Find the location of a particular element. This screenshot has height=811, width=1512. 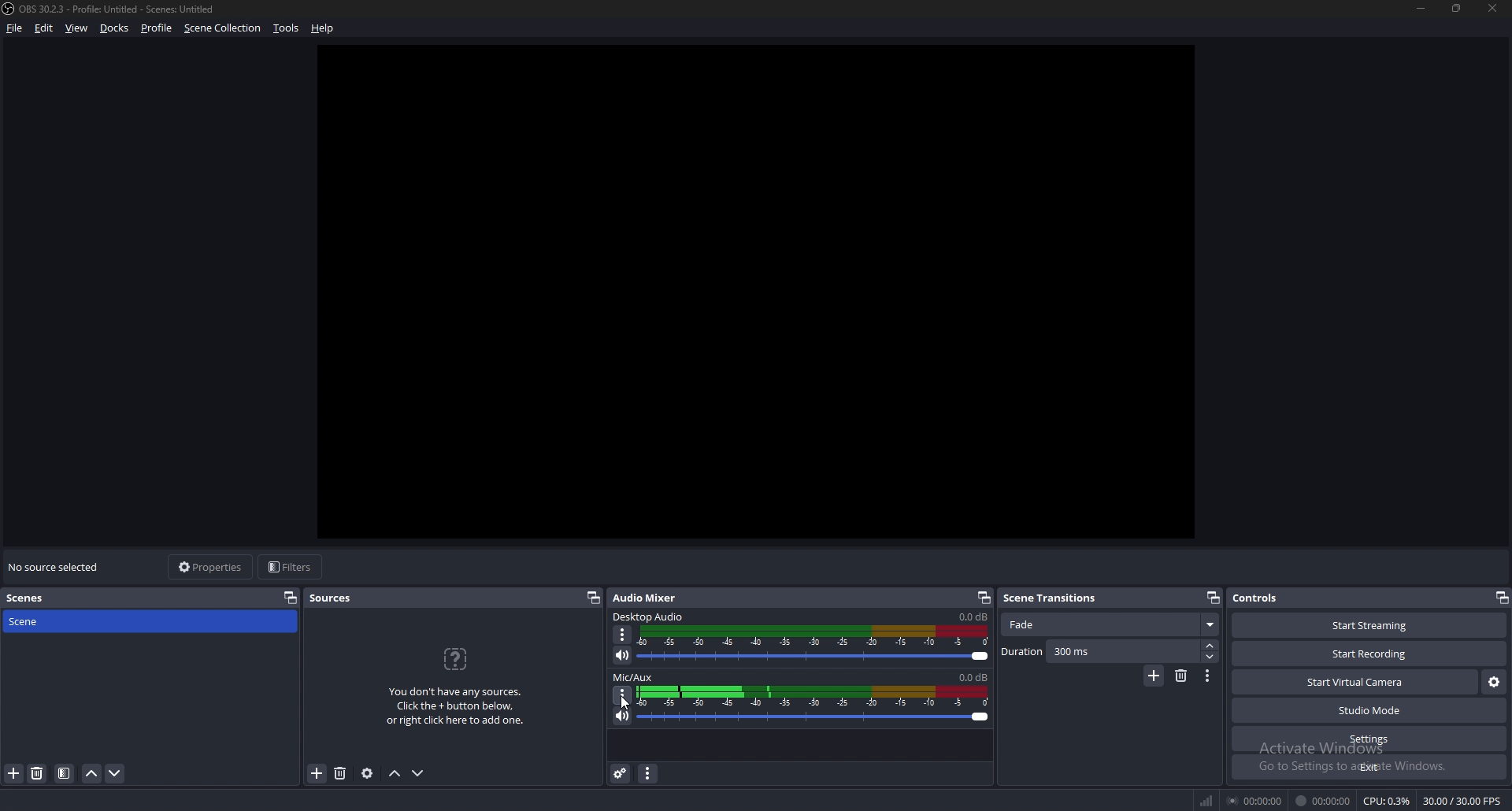

You don't have any sources.
Click the + button below,
or right click here to add one. is located at coordinates (462, 686).